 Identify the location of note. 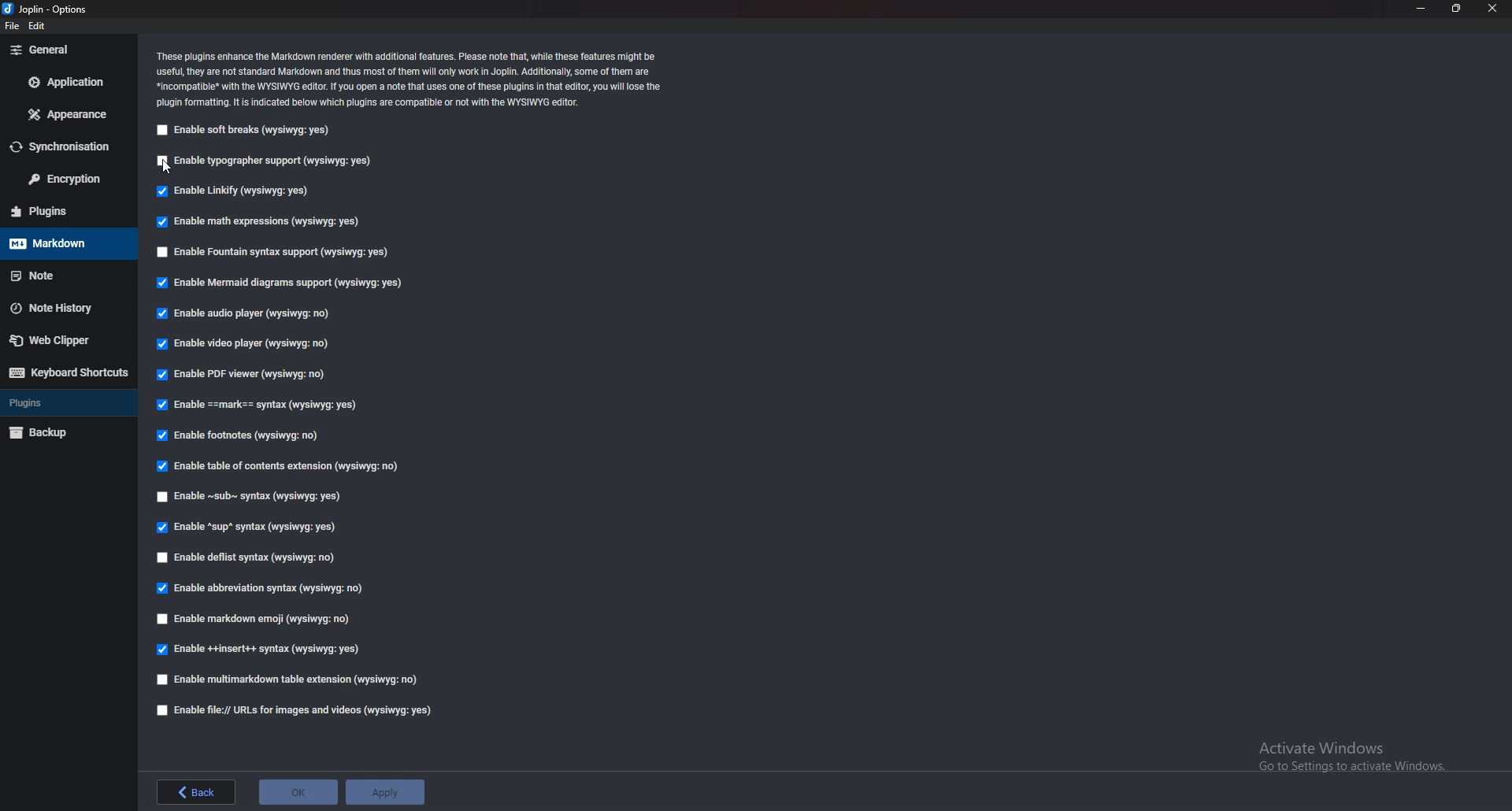
(68, 274).